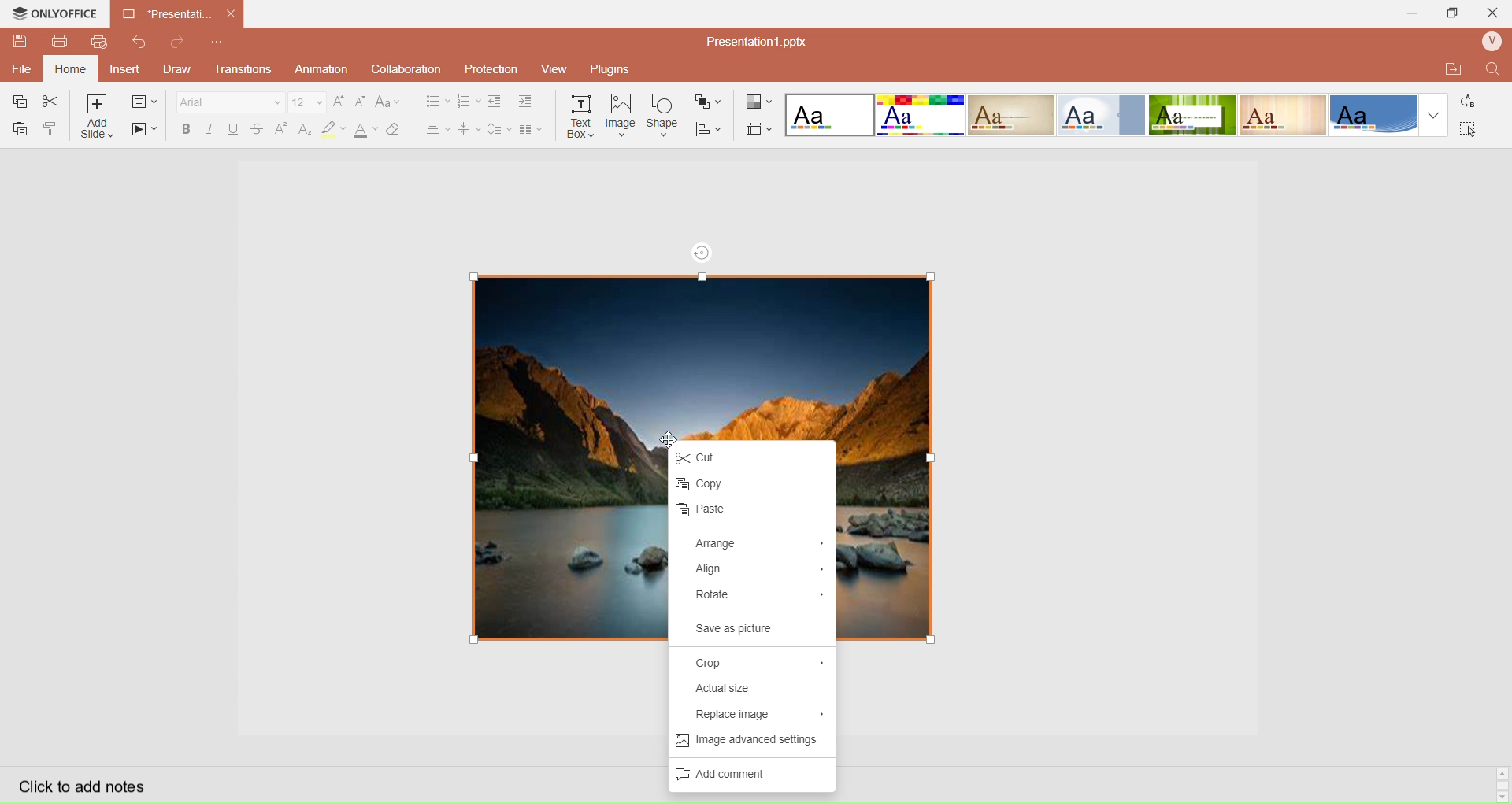  What do you see at coordinates (72, 13) in the screenshot?
I see `onlyoffice` at bounding box center [72, 13].